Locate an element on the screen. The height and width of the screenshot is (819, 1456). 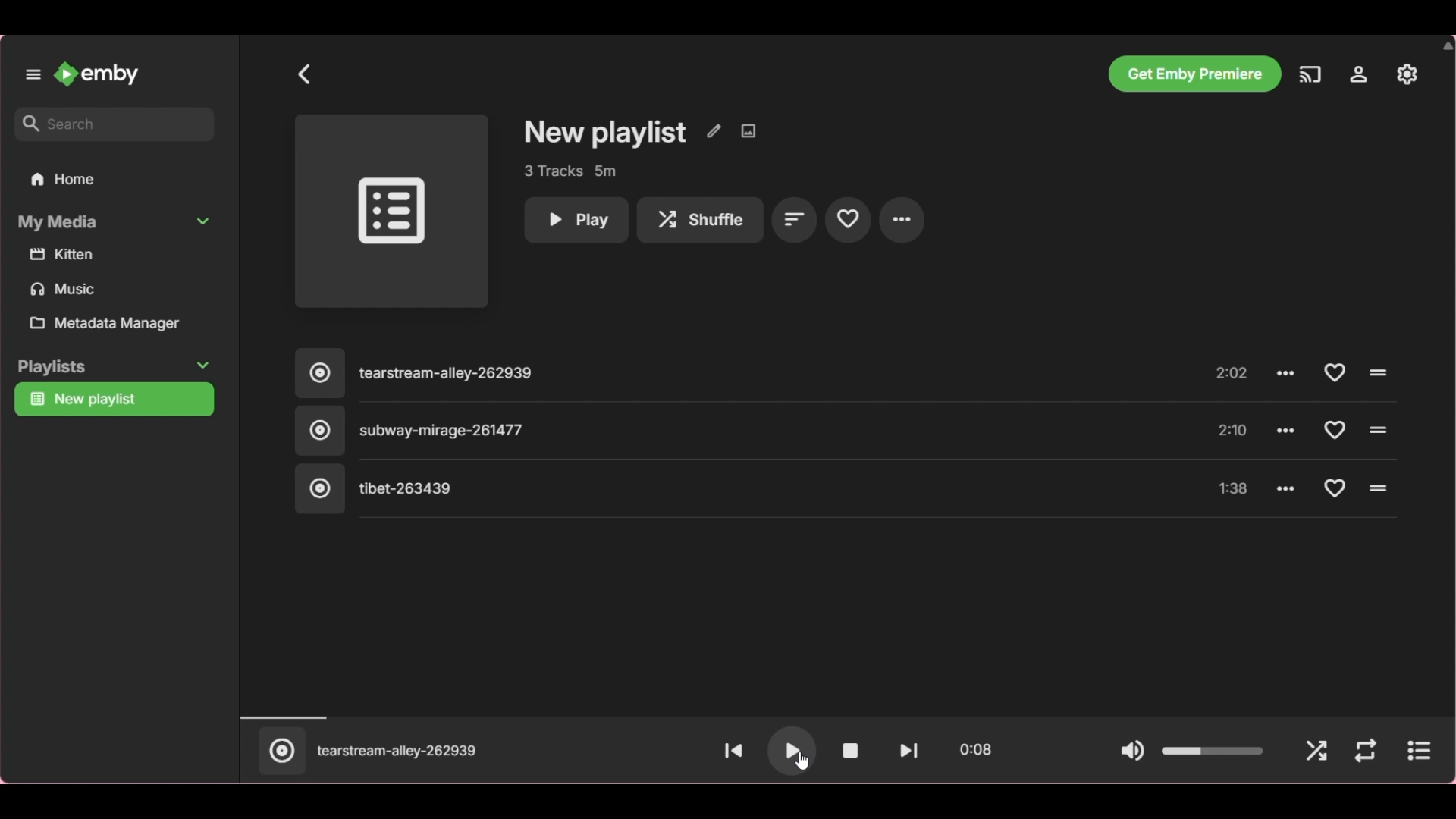
Play is located at coordinates (576, 221).